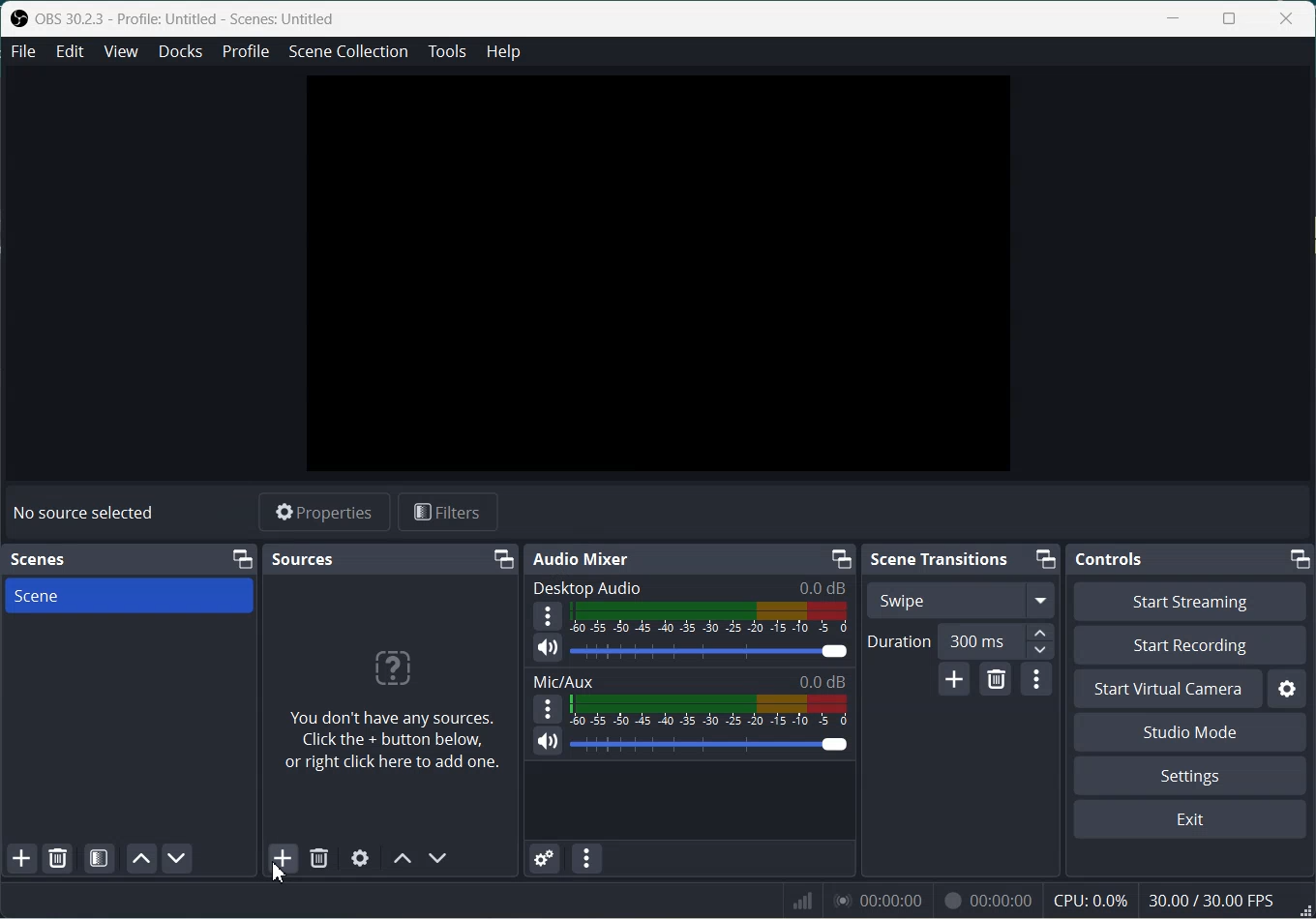 Image resolution: width=1316 pixels, height=919 pixels. Describe the element at coordinates (549, 710) in the screenshot. I see `More` at that location.